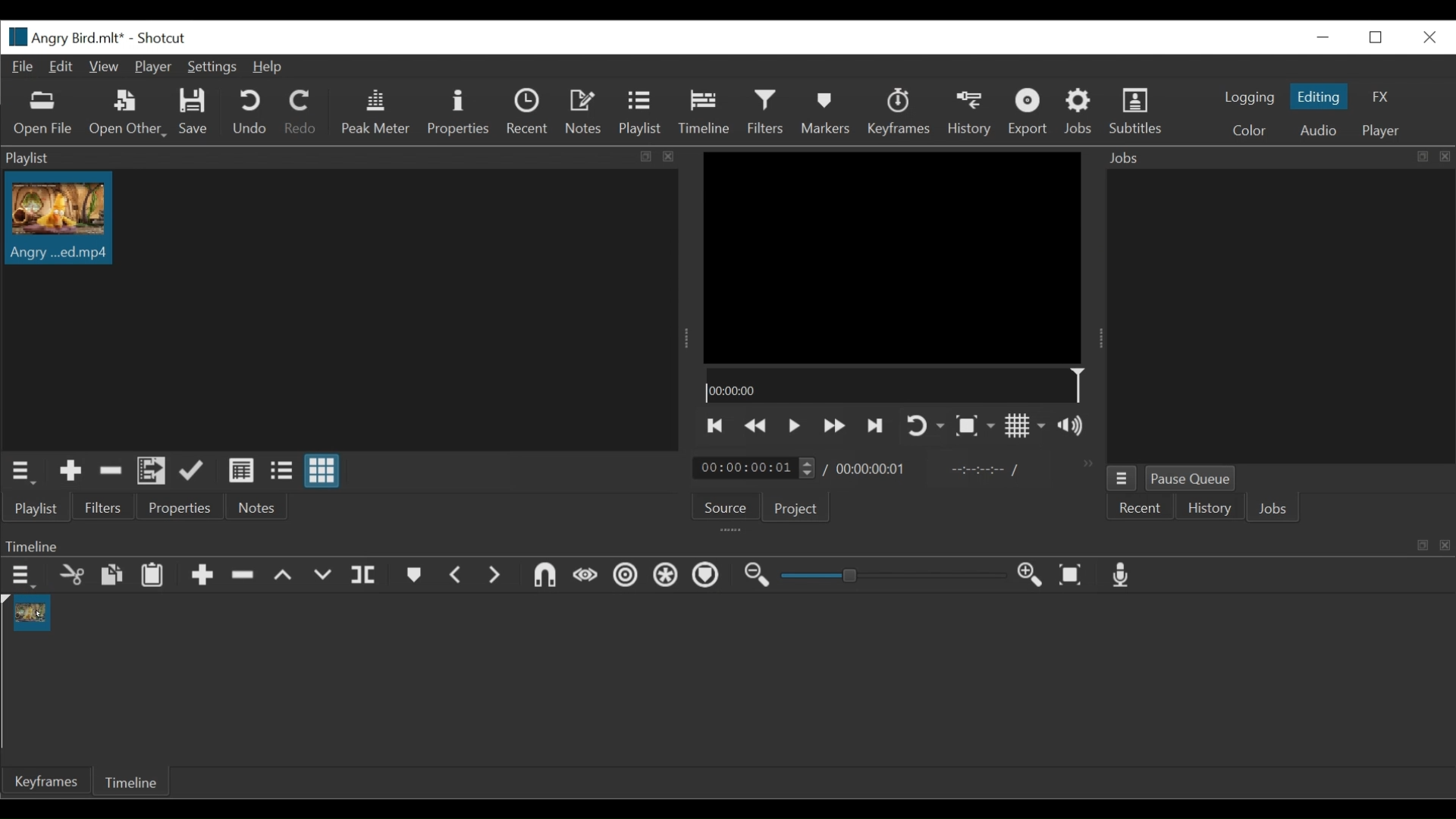 This screenshot has width=1456, height=819. I want to click on Jobs Panel, so click(1279, 315).